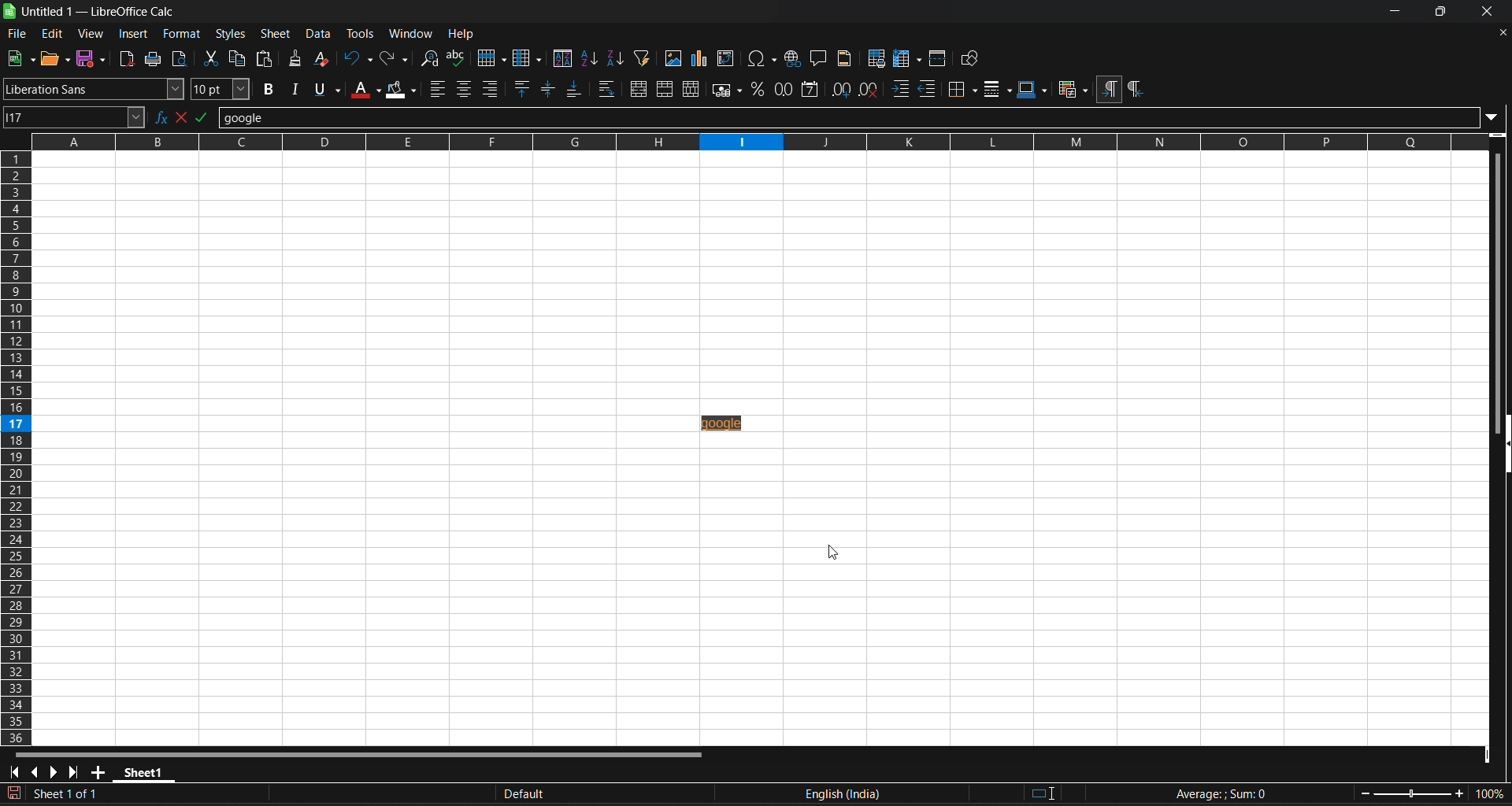 The width and height of the screenshot is (1512, 806). What do you see at coordinates (1503, 446) in the screenshot?
I see `hide` at bounding box center [1503, 446].